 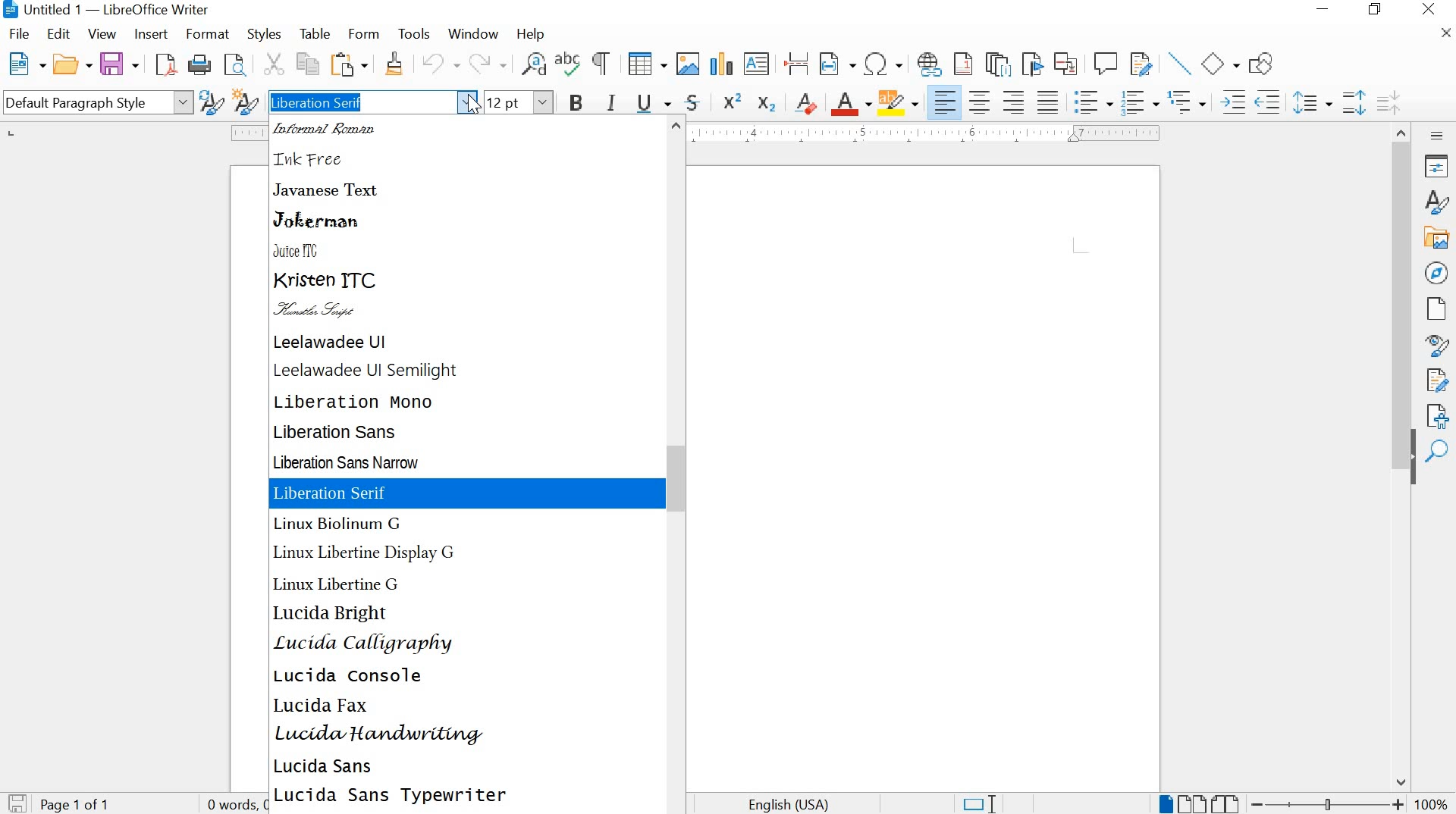 What do you see at coordinates (277, 805) in the screenshot?
I see `WORD AND CHARACTER COUNT` at bounding box center [277, 805].